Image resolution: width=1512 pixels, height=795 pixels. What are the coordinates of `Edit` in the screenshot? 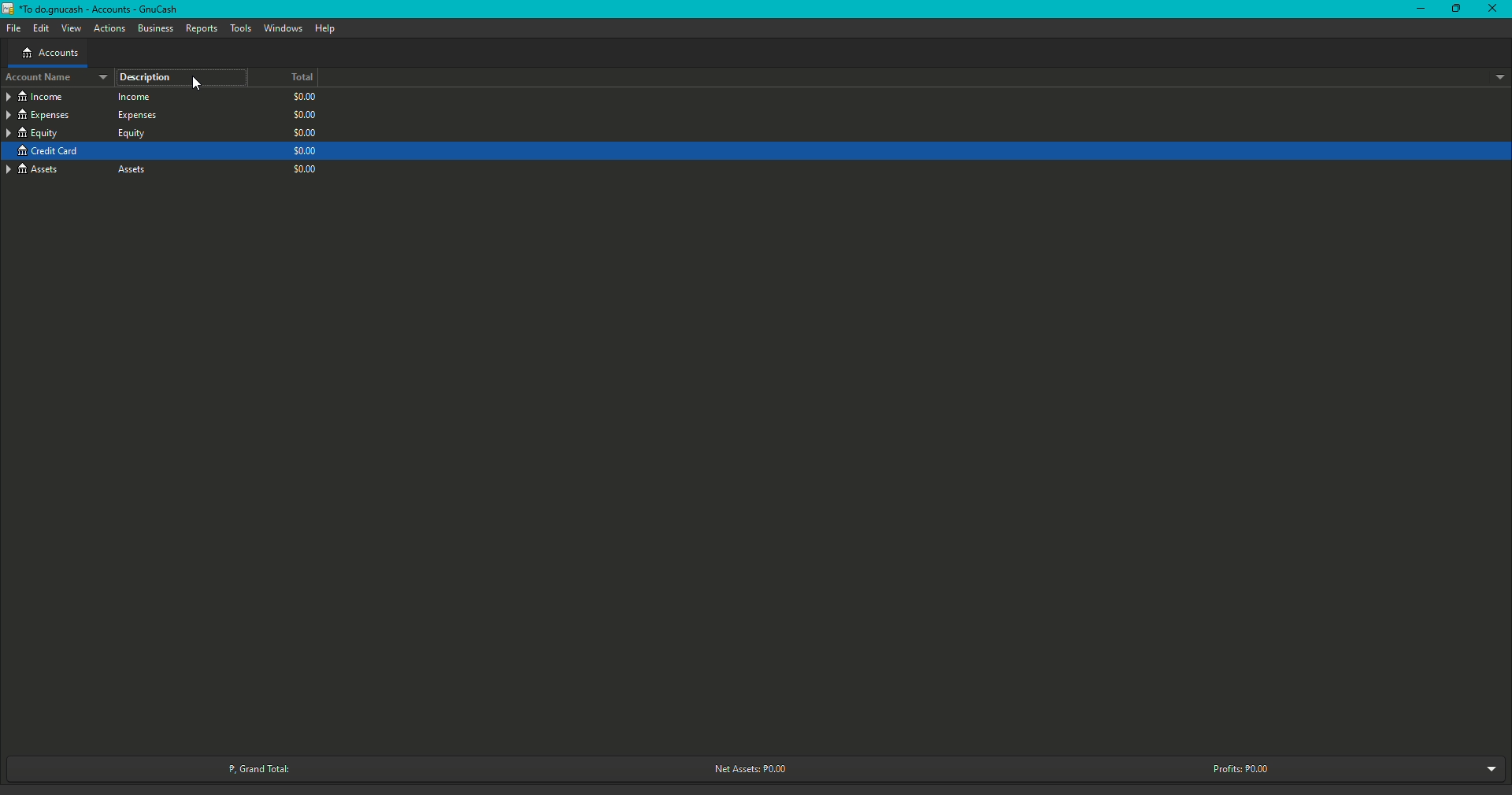 It's located at (39, 28).